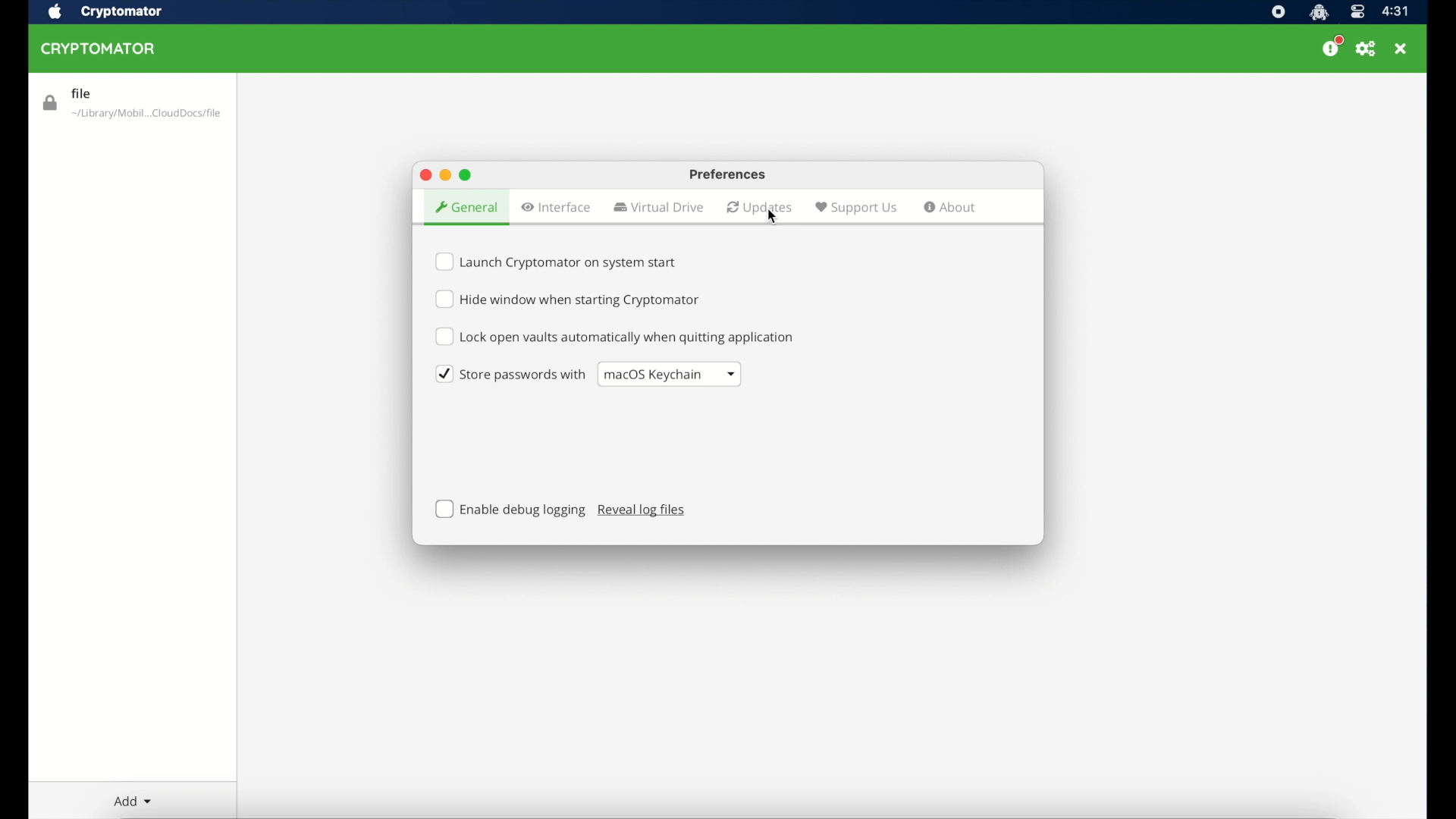  What do you see at coordinates (856, 207) in the screenshot?
I see `suport us` at bounding box center [856, 207].